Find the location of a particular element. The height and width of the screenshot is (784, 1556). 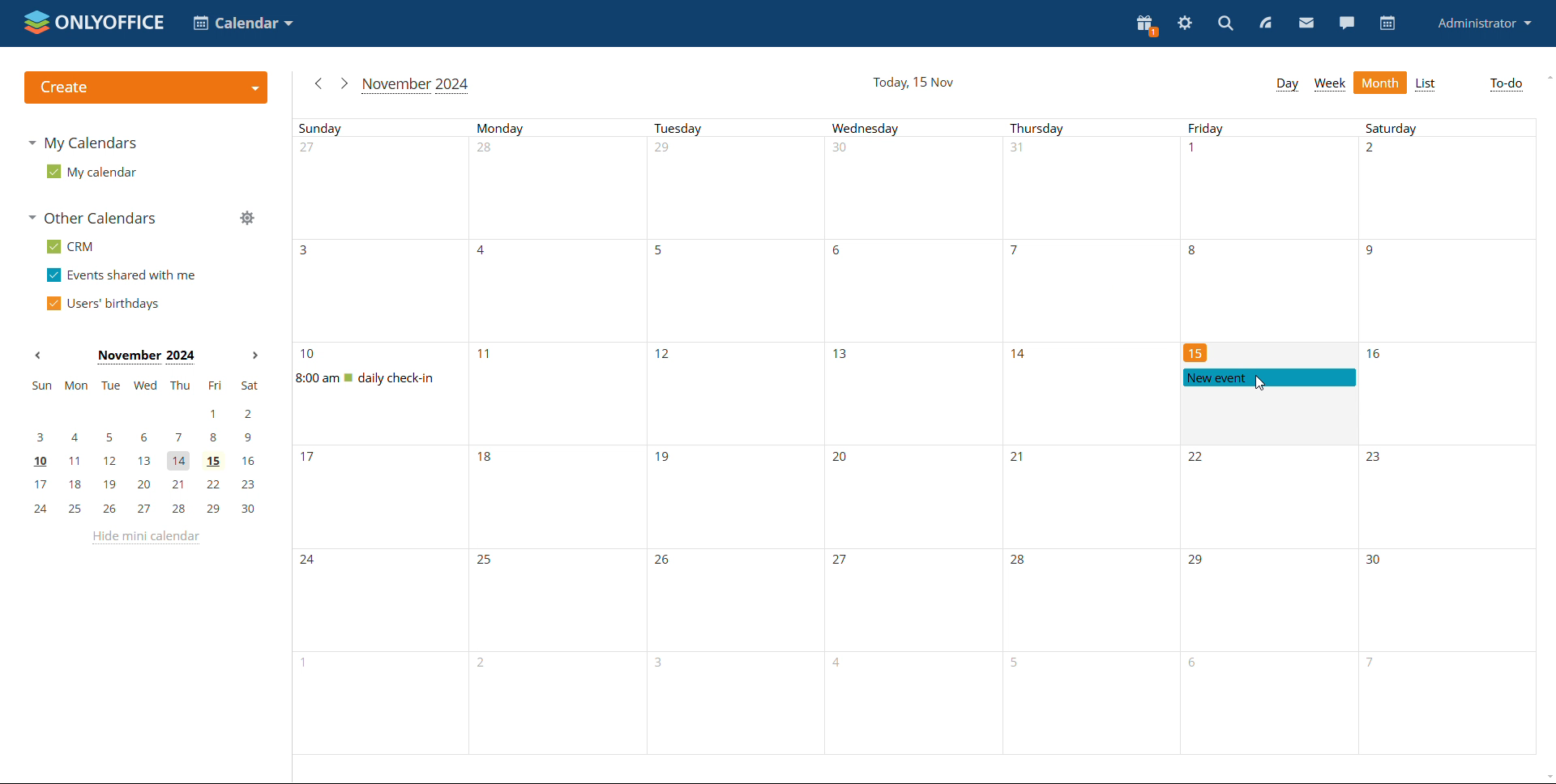

Number is located at coordinates (667, 356).